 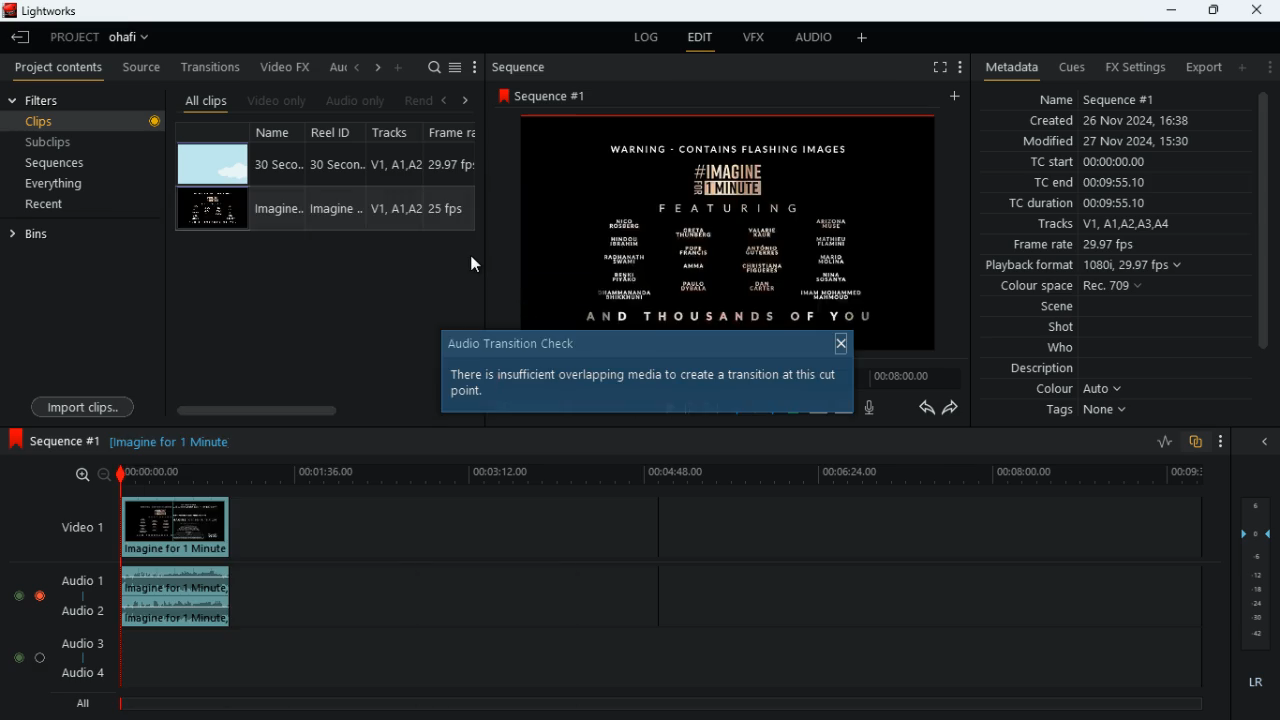 What do you see at coordinates (1072, 67) in the screenshot?
I see `cues` at bounding box center [1072, 67].